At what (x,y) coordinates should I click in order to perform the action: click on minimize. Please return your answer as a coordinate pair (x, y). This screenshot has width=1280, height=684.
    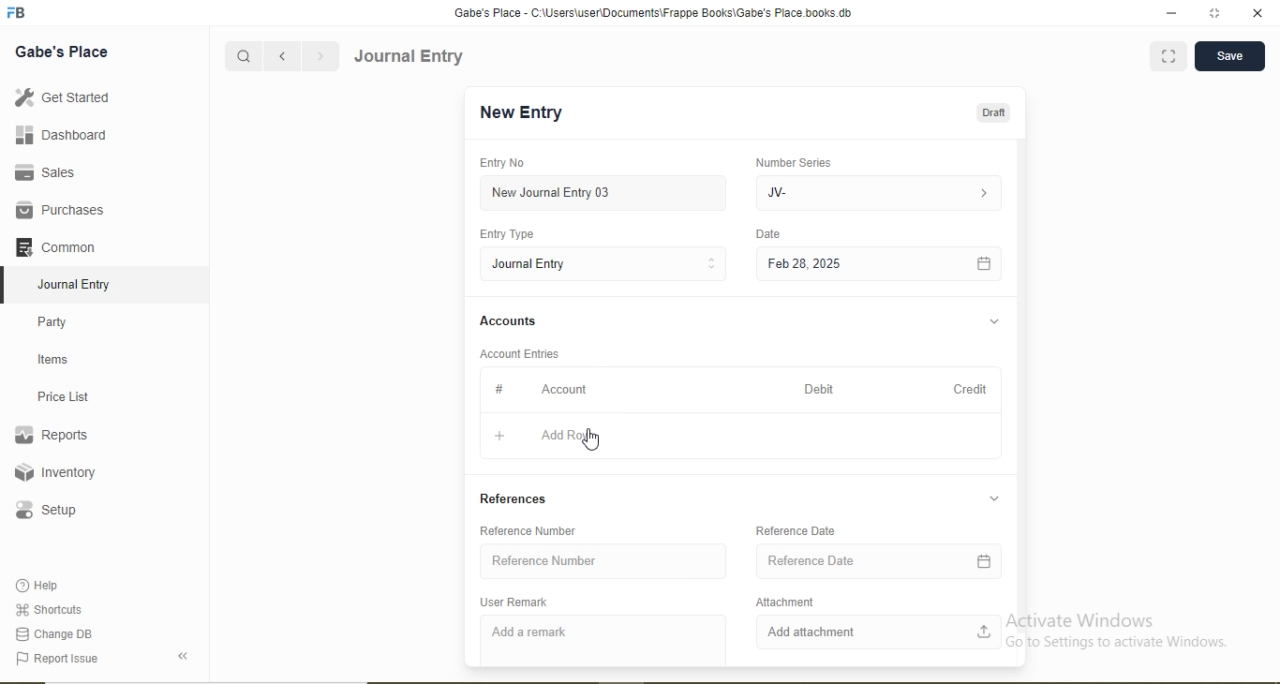
    Looking at the image, I should click on (1169, 14).